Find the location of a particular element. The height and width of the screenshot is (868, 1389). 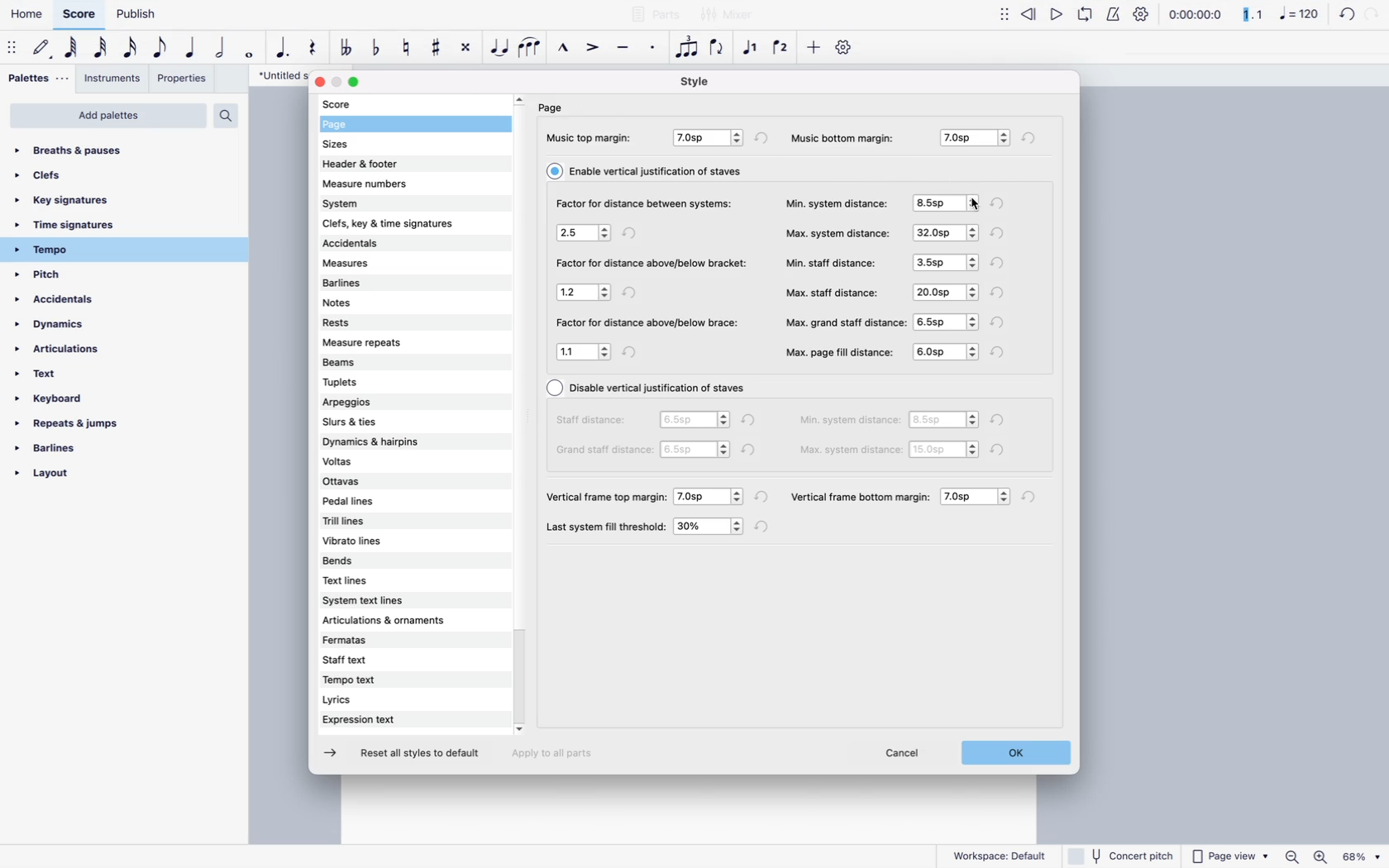

staff text is located at coordinates (383, 661).